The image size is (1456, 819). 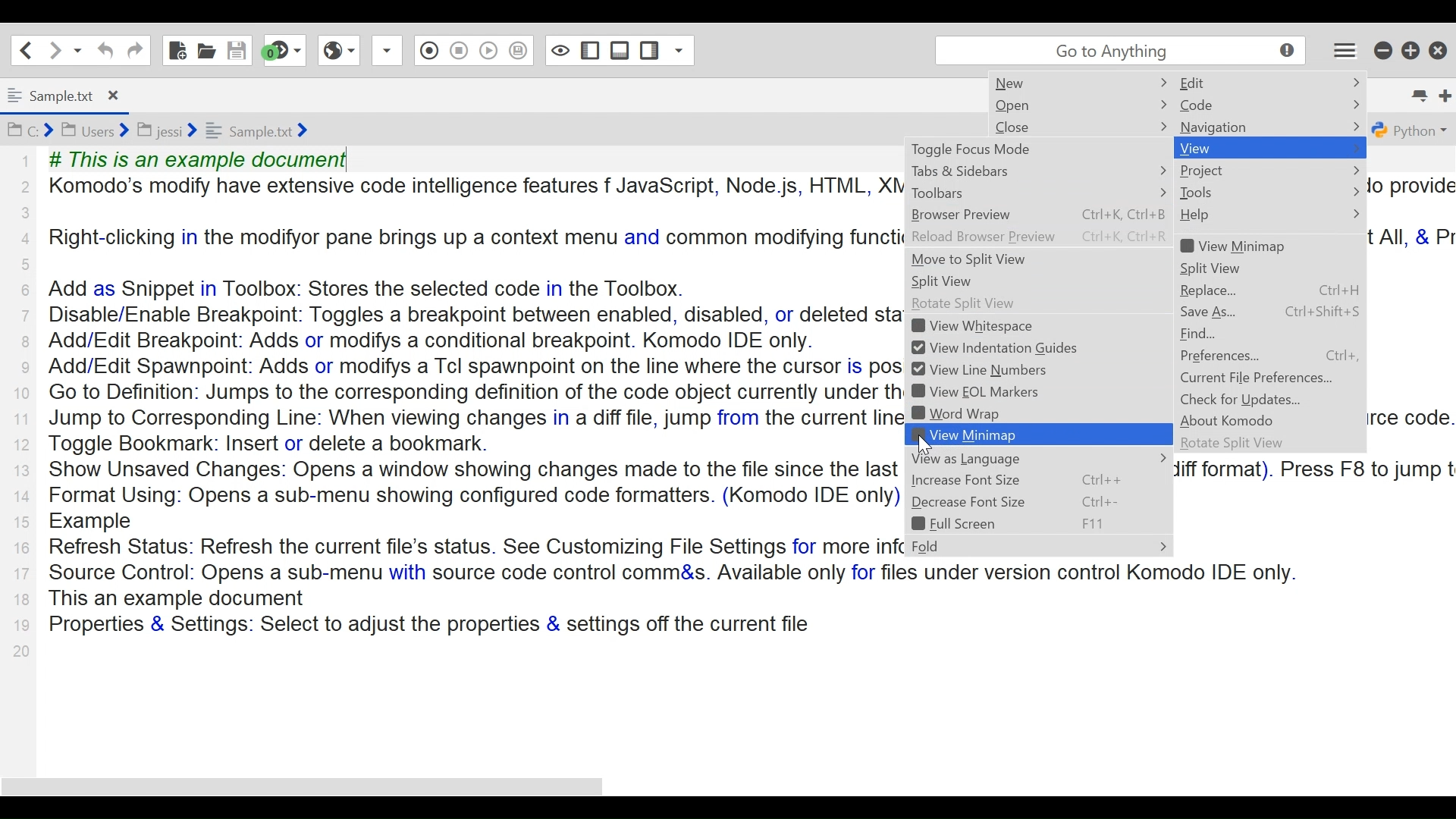 What do you see at coordinates (992, 392) in the screenshot?
I see `View EQL Markers` at bounding box center [992, 392].